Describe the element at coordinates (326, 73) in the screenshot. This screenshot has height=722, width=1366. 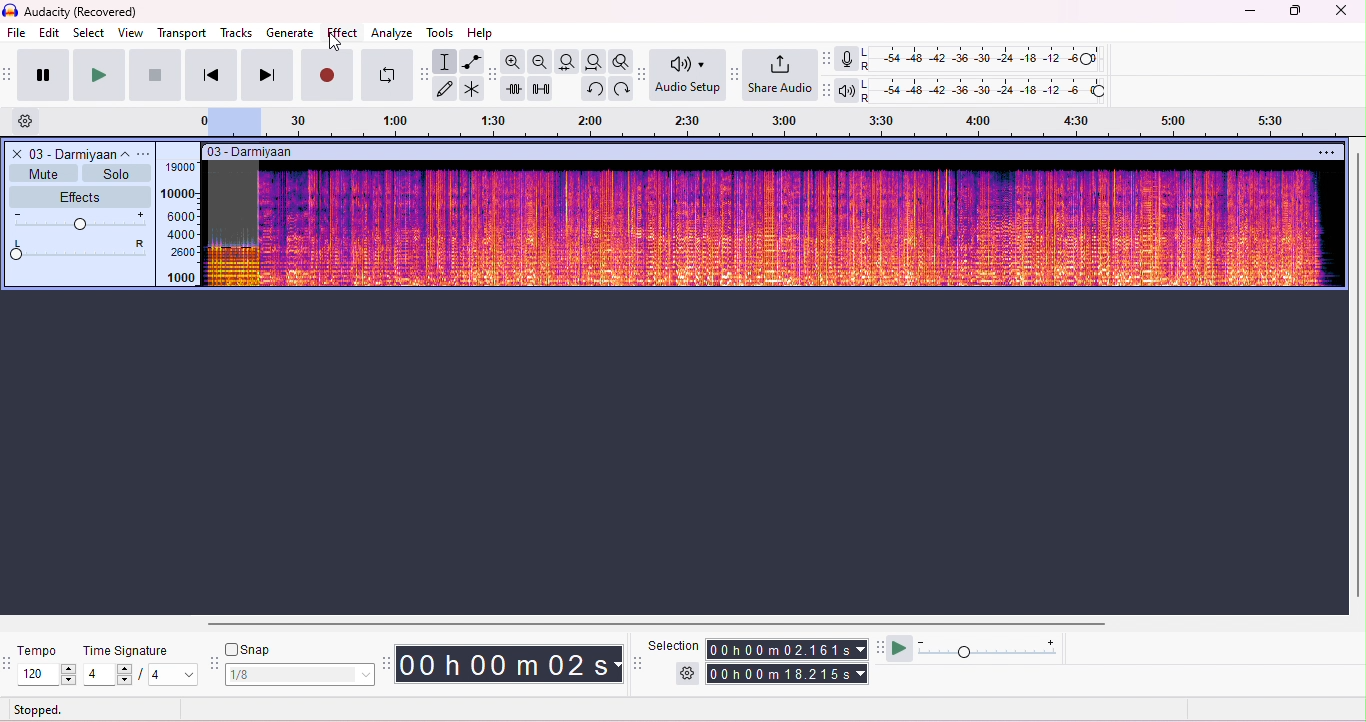
I see `record` at that location.